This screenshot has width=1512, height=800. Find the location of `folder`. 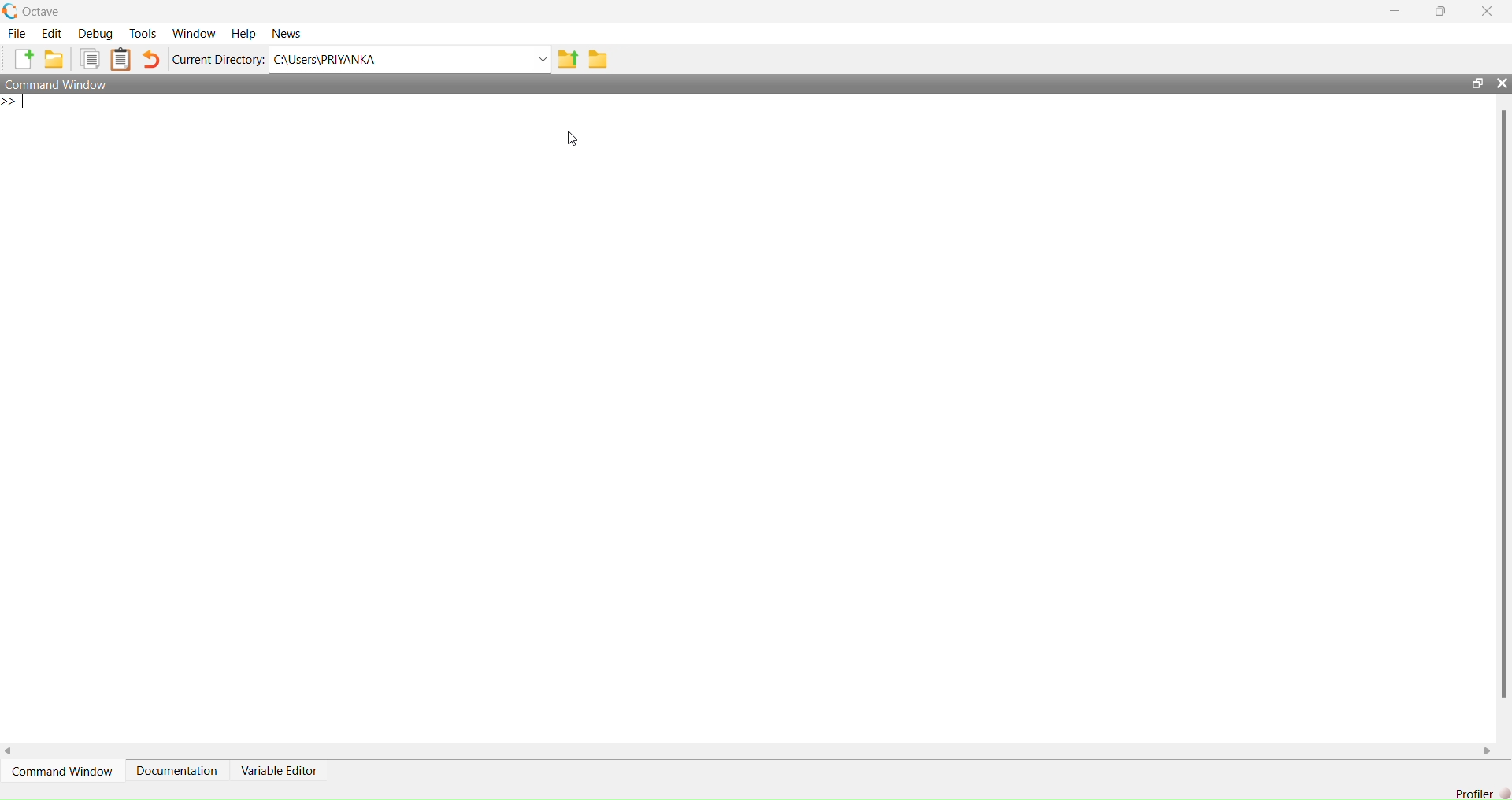

folder is located at coordinates (598, 58).